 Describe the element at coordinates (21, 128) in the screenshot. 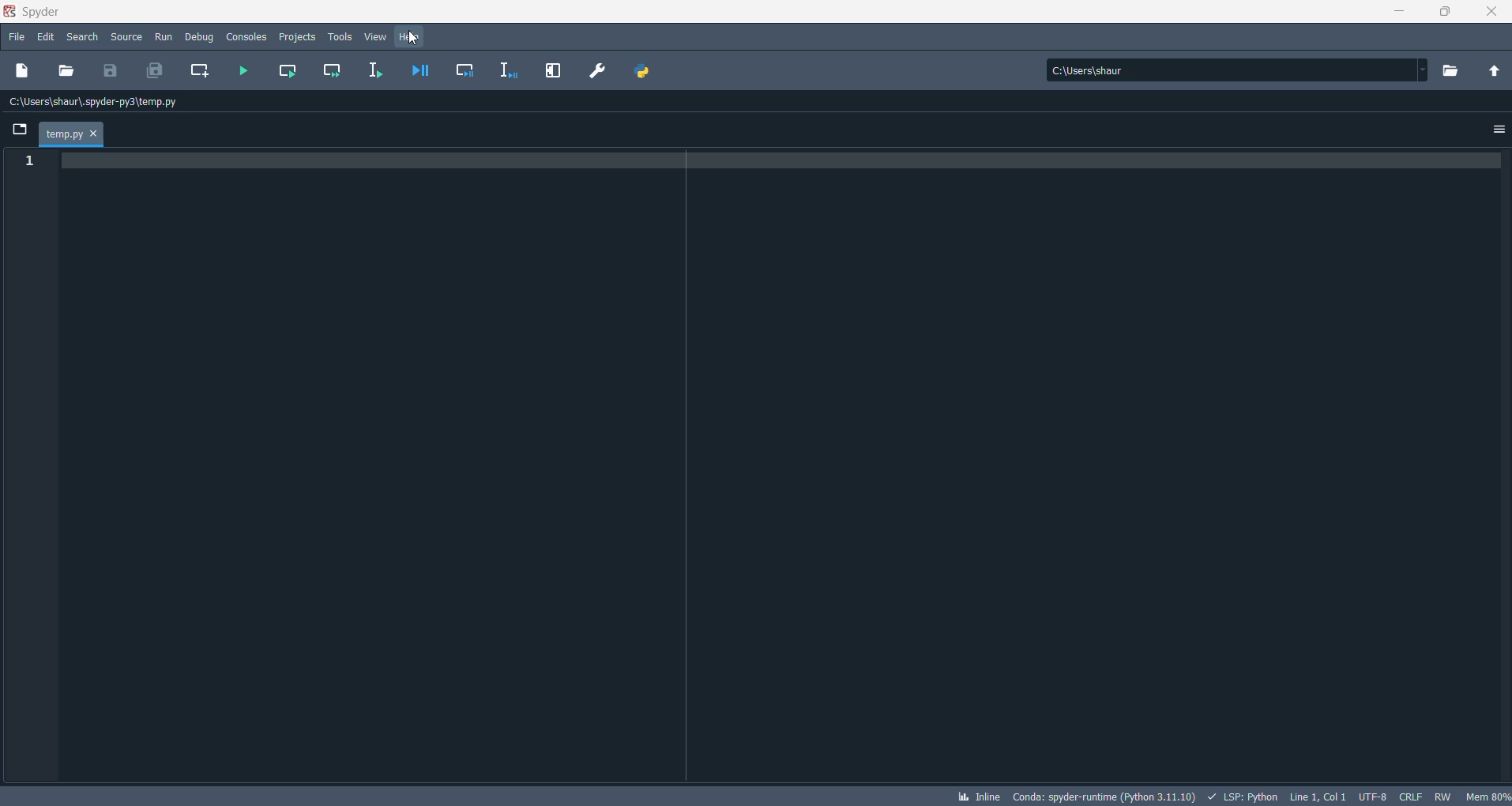

I see `browse tabs` at that location.